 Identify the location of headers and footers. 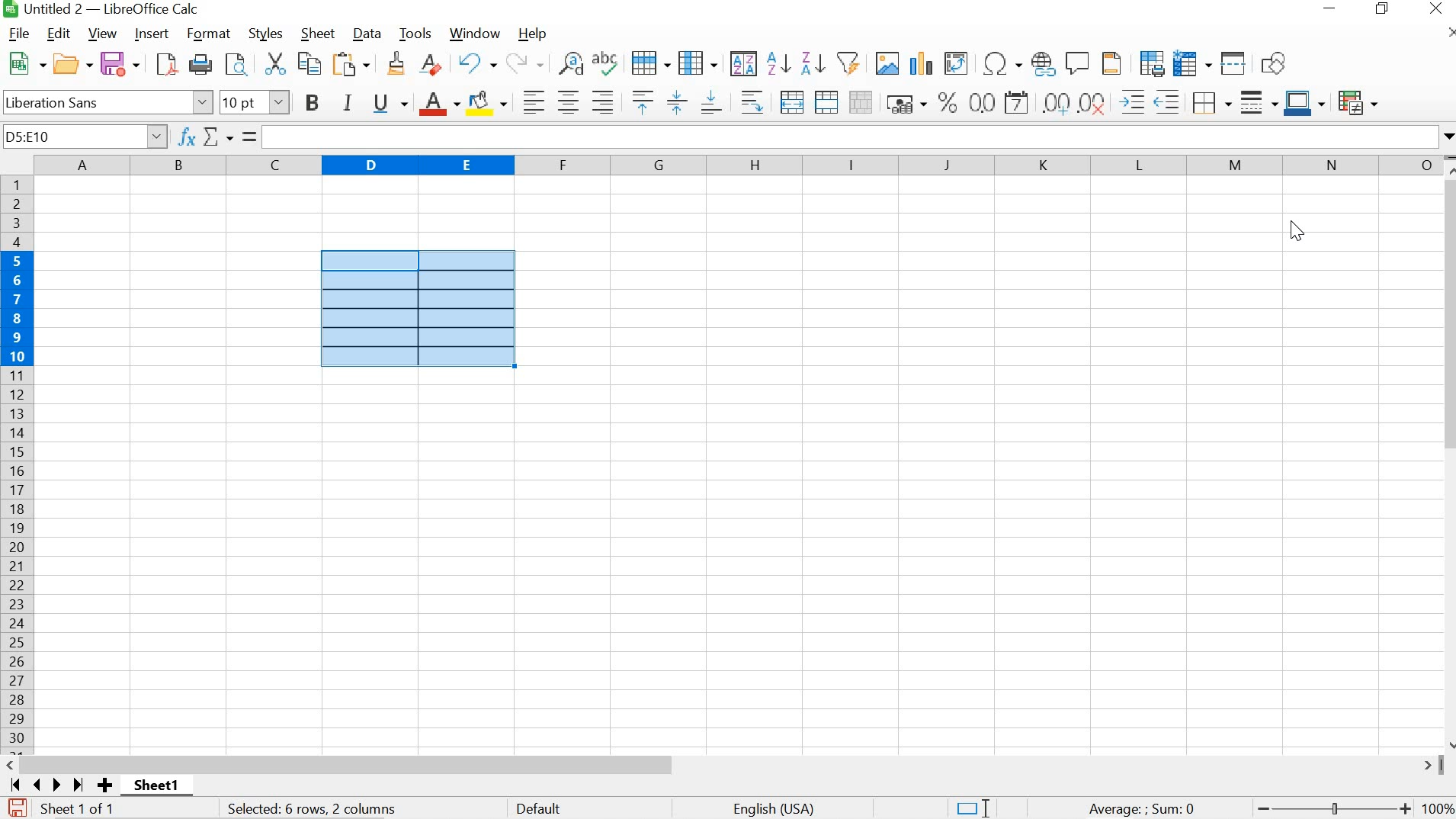
(1112, 64).